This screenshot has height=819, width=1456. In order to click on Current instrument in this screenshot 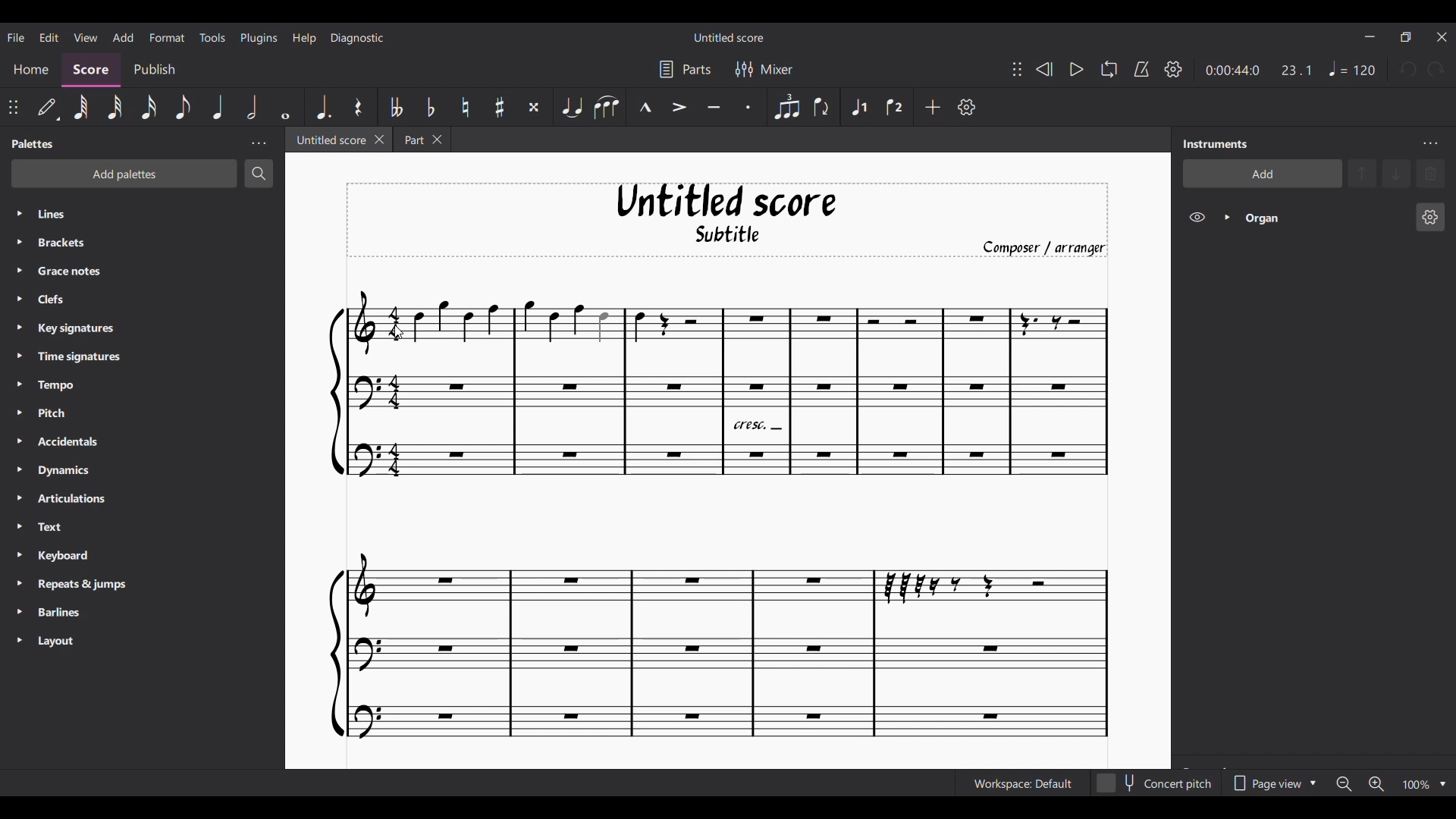, I will do `click(1325, 218)`.